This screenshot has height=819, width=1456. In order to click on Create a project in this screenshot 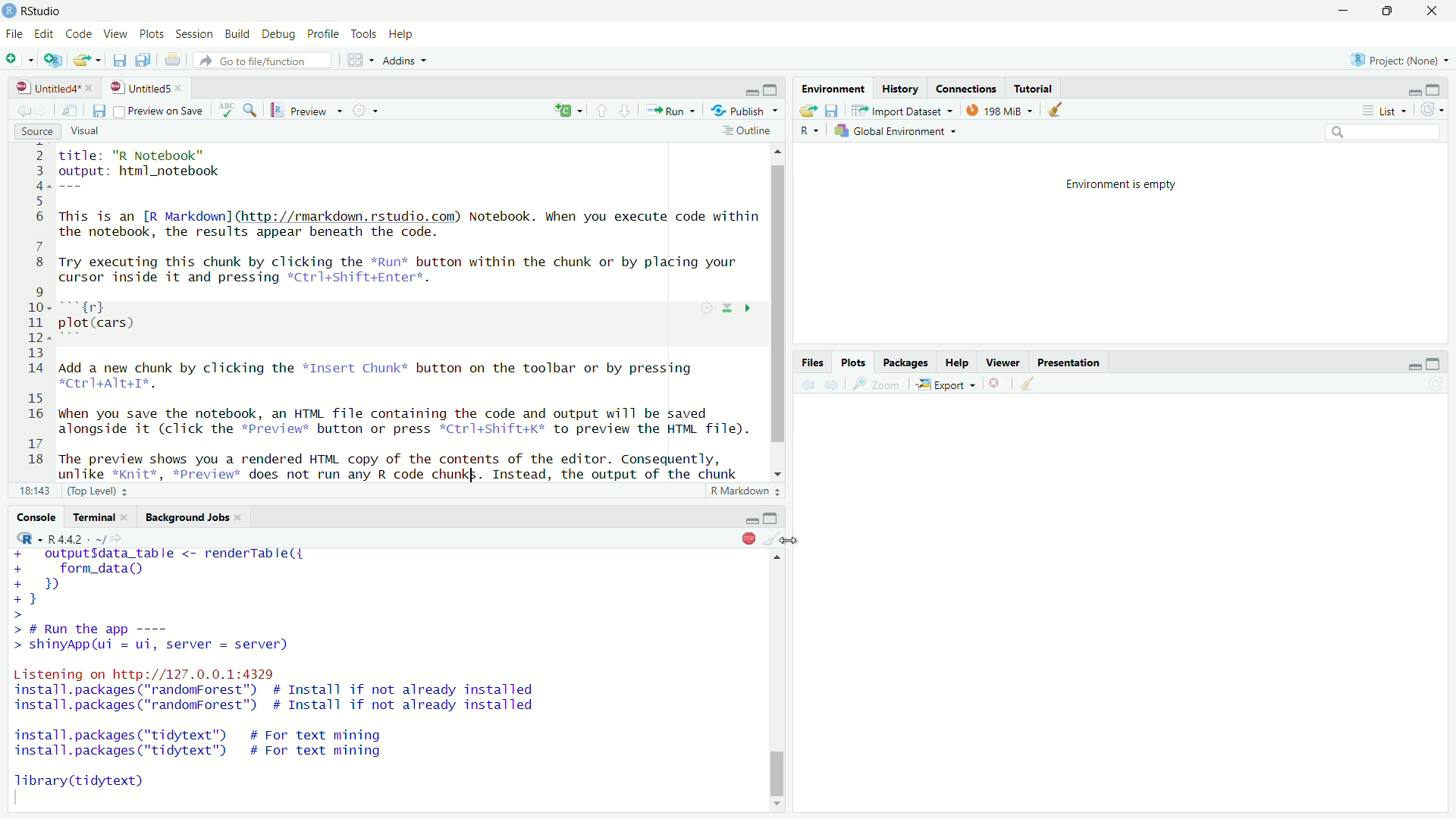, I will do `click(54, 59)`.